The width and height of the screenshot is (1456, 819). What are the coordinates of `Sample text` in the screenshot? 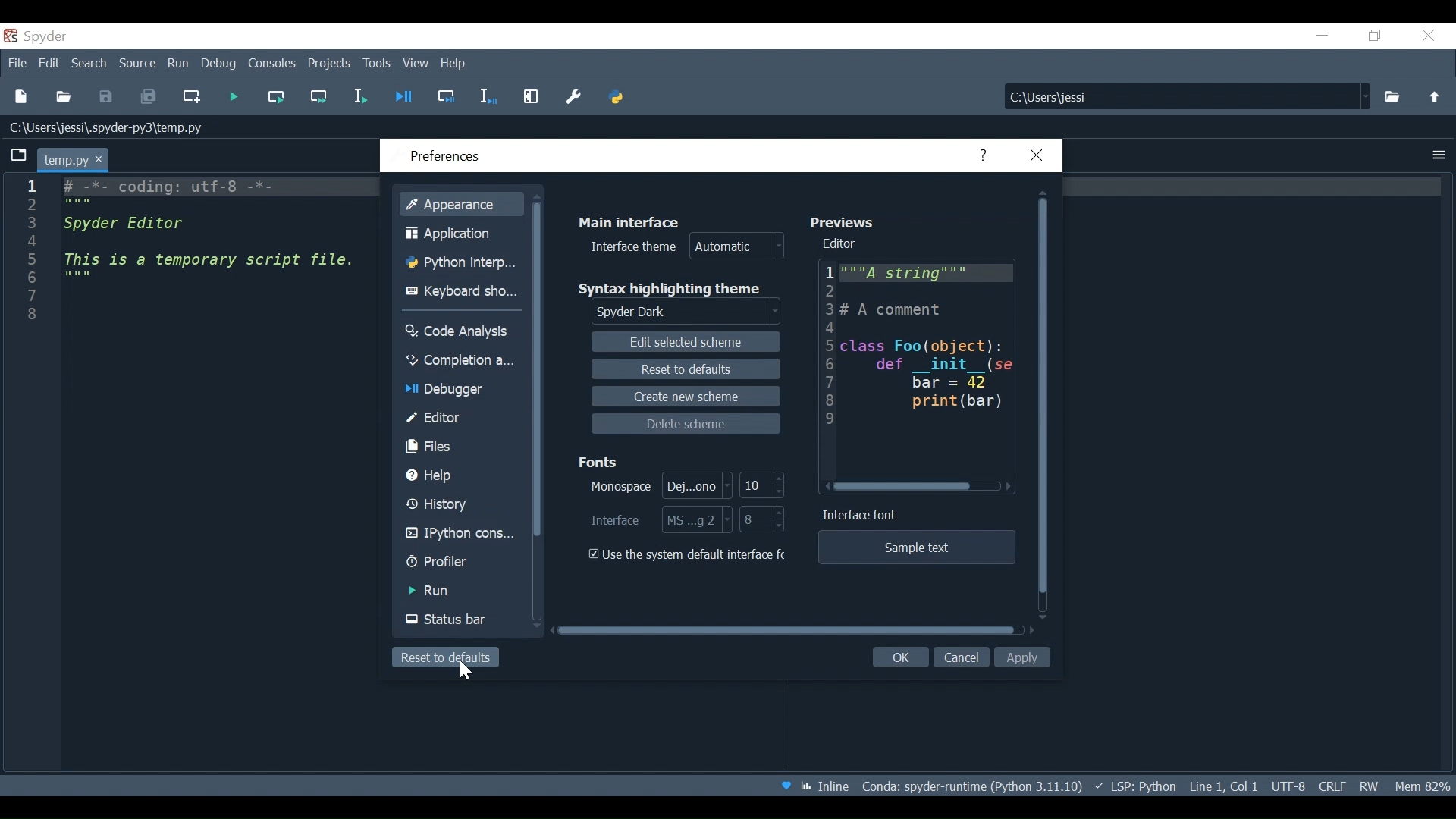 It's located at (918, 548).